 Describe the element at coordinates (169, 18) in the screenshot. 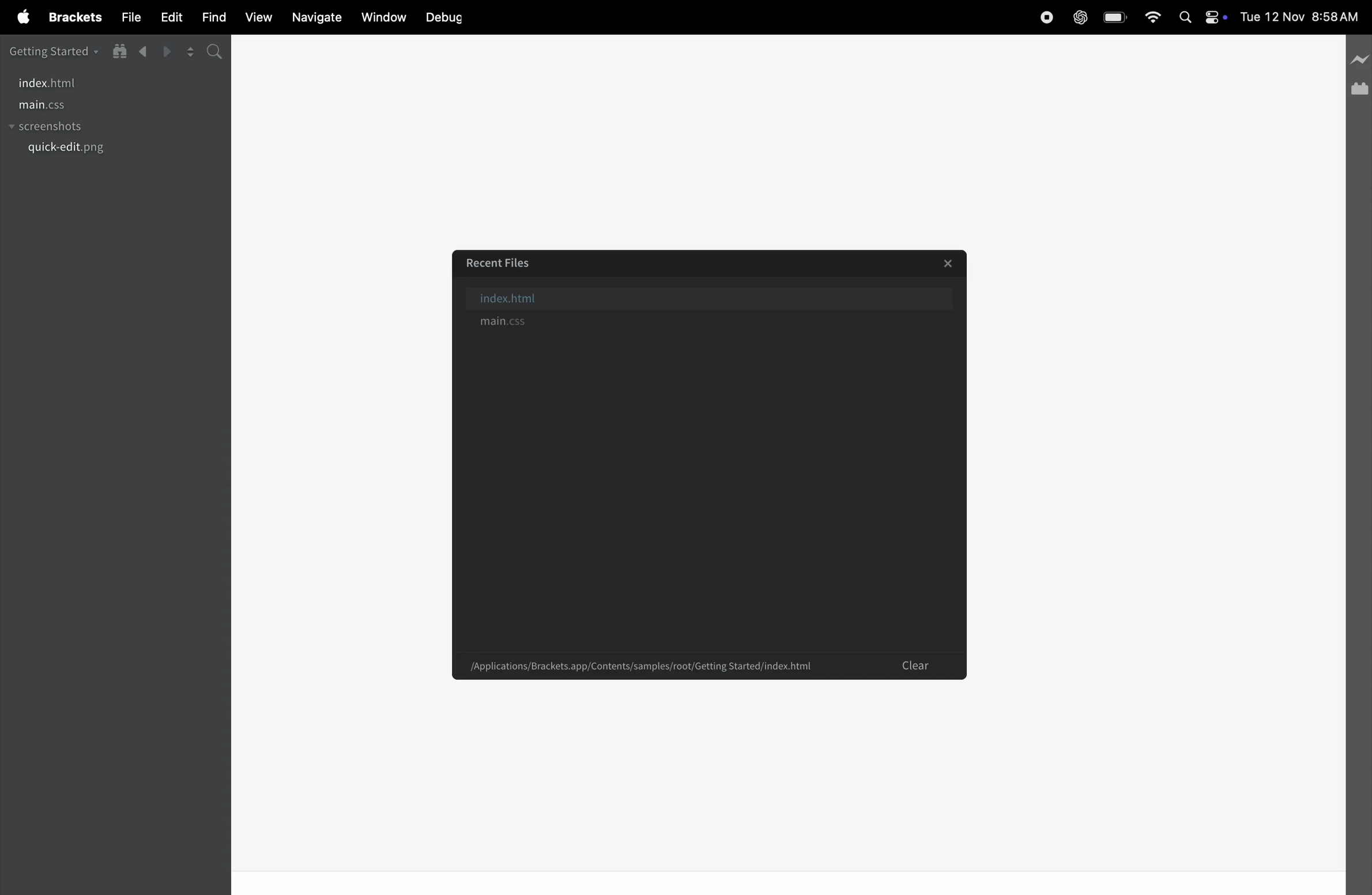

I see `edit` at that location.